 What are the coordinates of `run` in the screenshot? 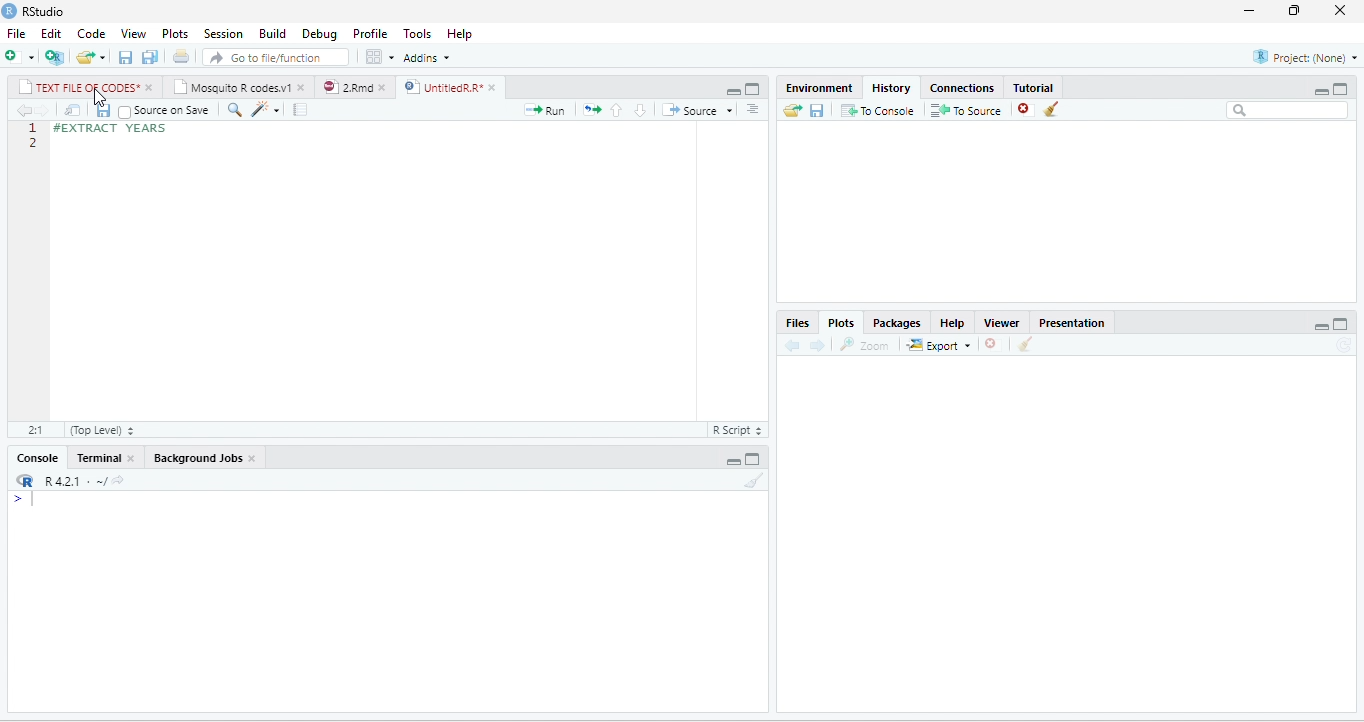 It's located at (546, 110).